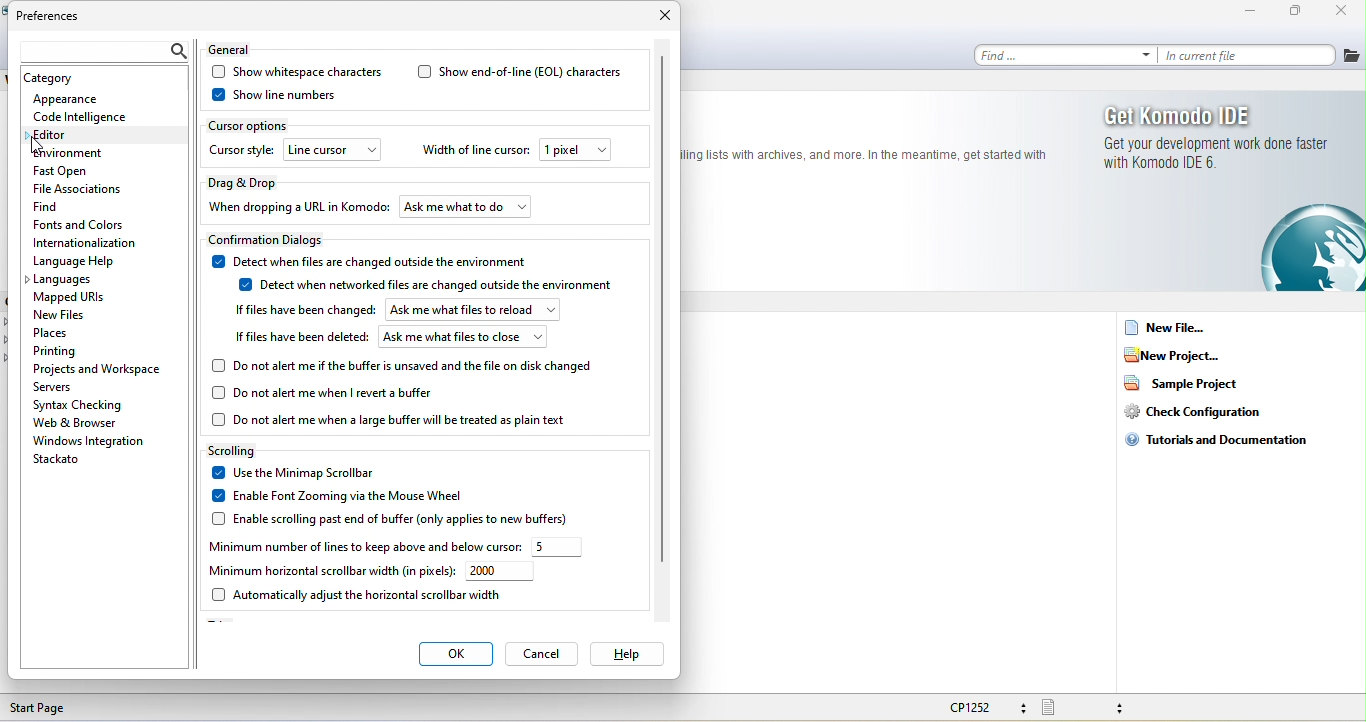 Image resolution: width=1366 pixels, height=722 pixels. Describe the element at coordinates (373, 260) in the screenshot. I see `detect when files are changed outside the environment` at that location.